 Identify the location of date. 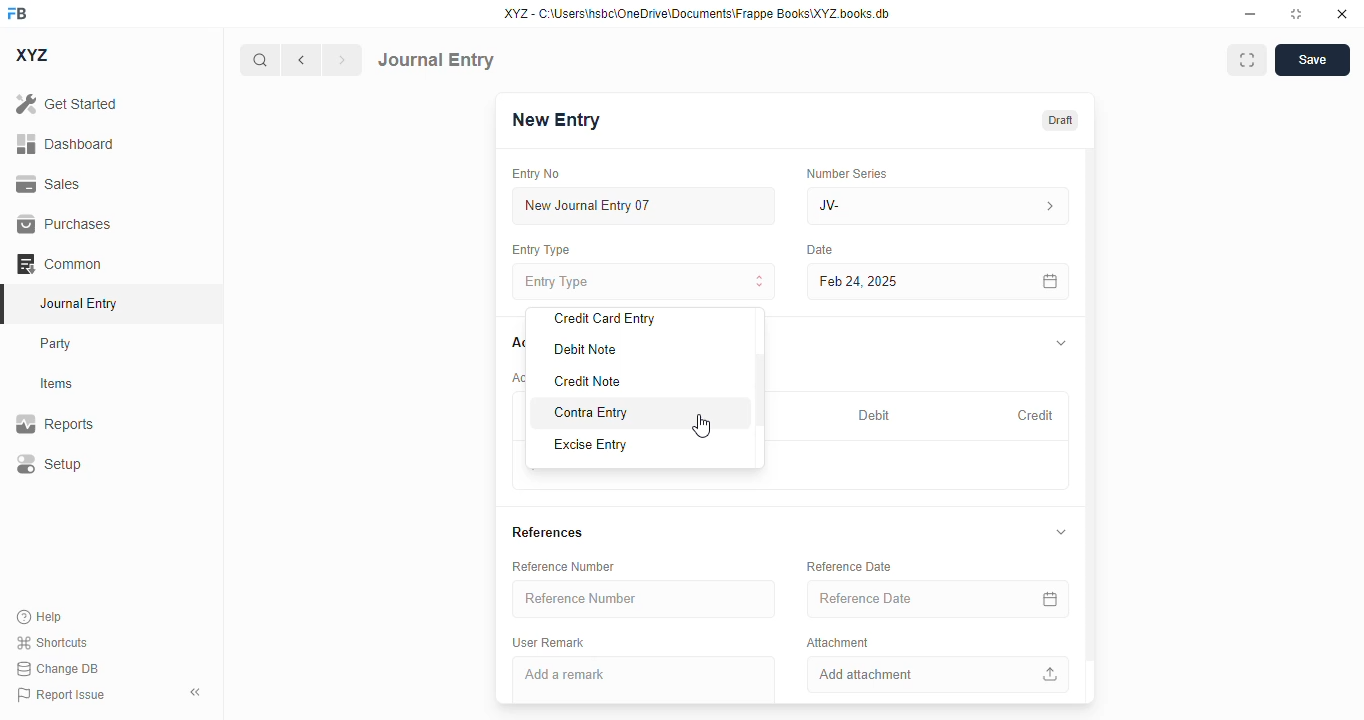
(820, 250).